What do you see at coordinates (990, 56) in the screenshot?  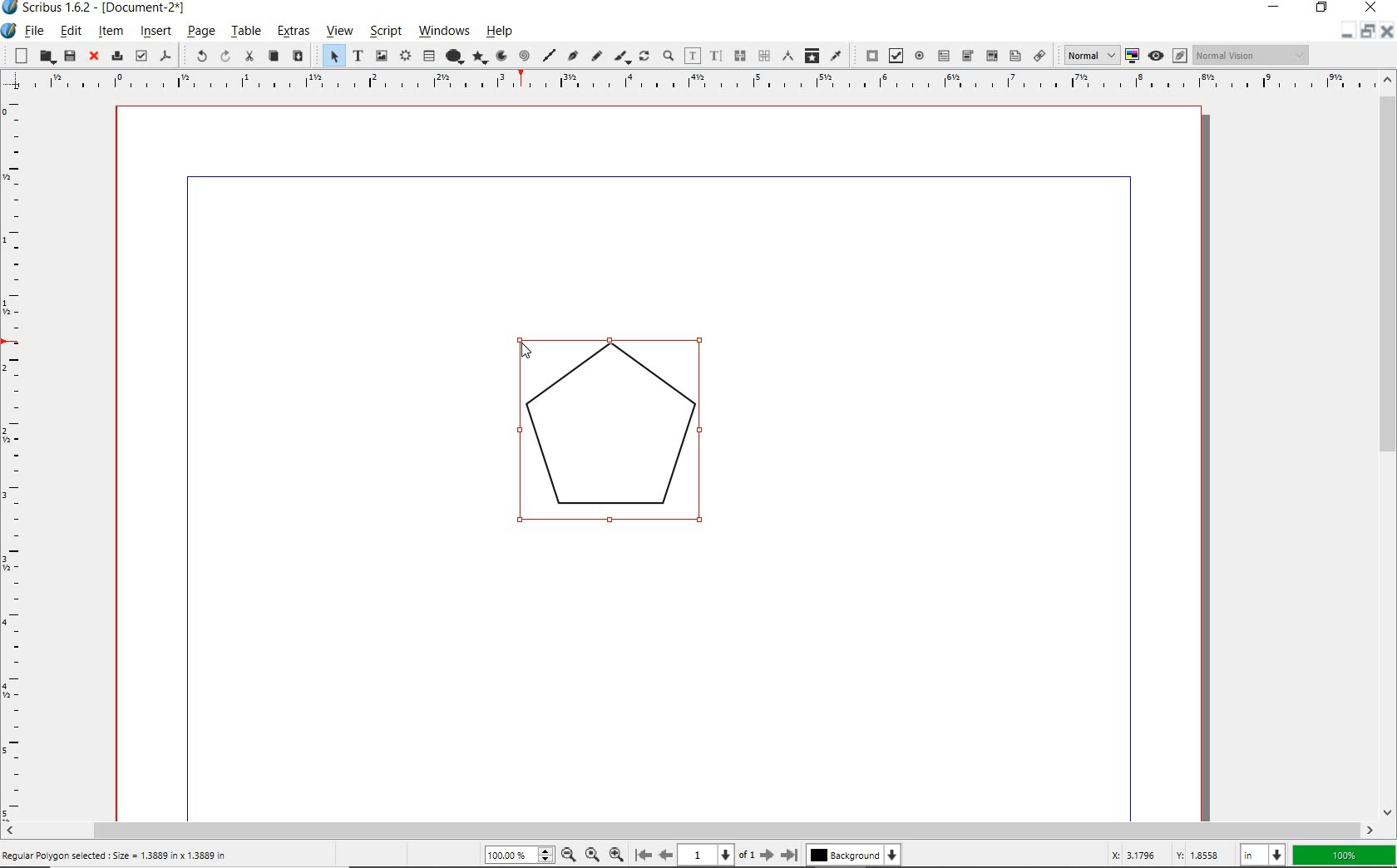 I see `pdf combo box` at bounding box center [990, 56].